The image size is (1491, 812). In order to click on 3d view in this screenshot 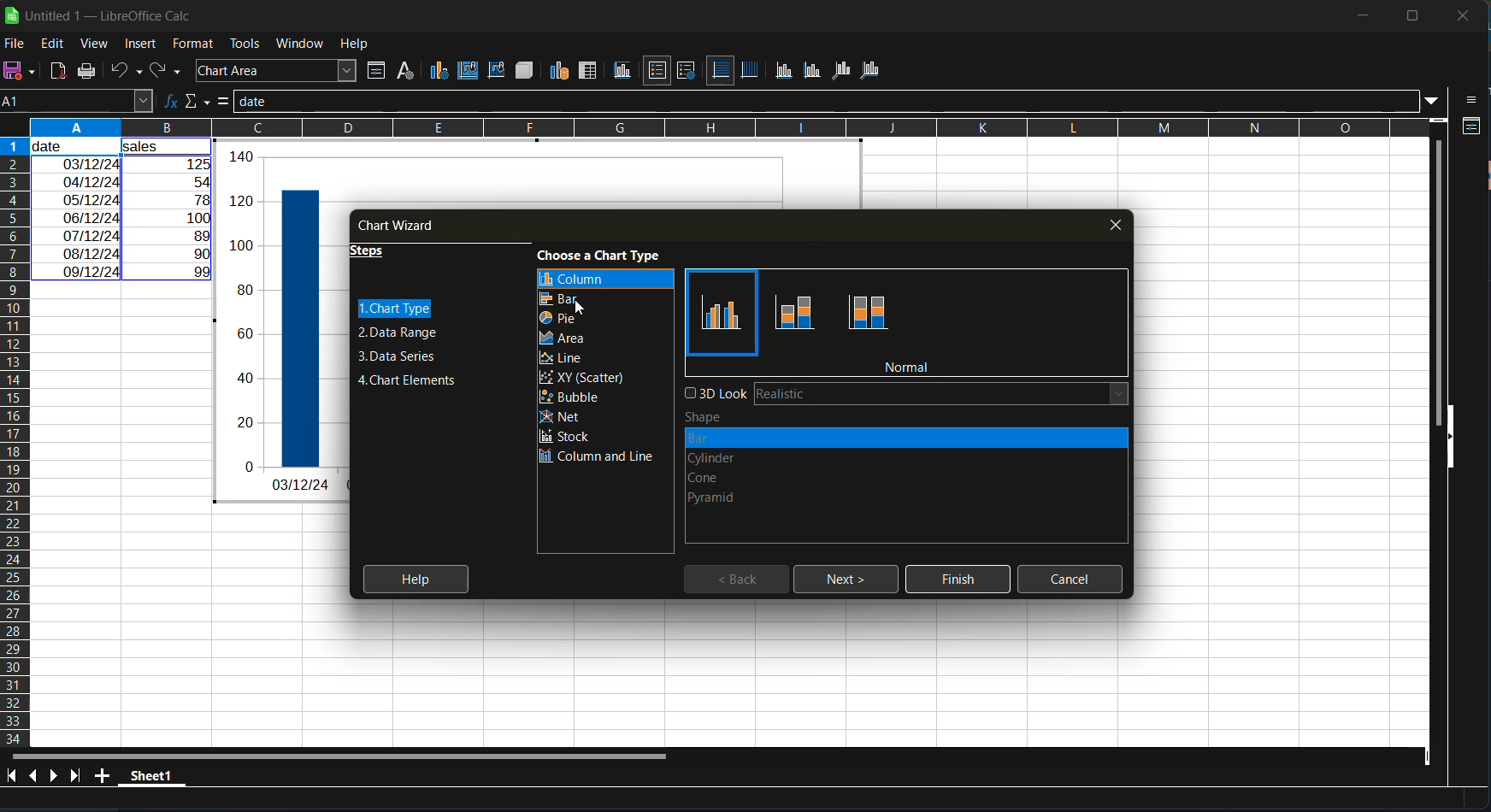, I will do `click(524, 70)`.